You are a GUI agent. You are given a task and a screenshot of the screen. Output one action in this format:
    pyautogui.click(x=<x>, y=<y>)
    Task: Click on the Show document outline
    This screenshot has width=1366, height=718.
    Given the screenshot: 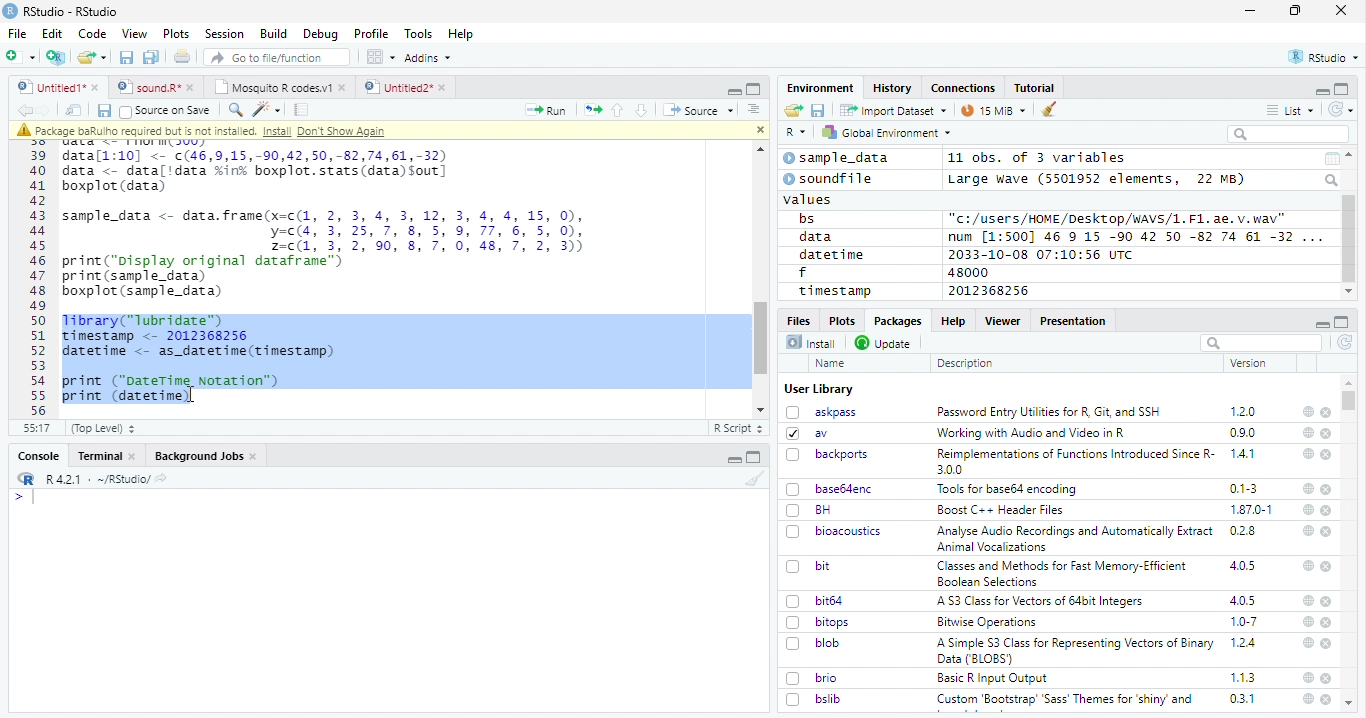 What is the action you would take?
    pyautogui.click(x=752, y=109)
    